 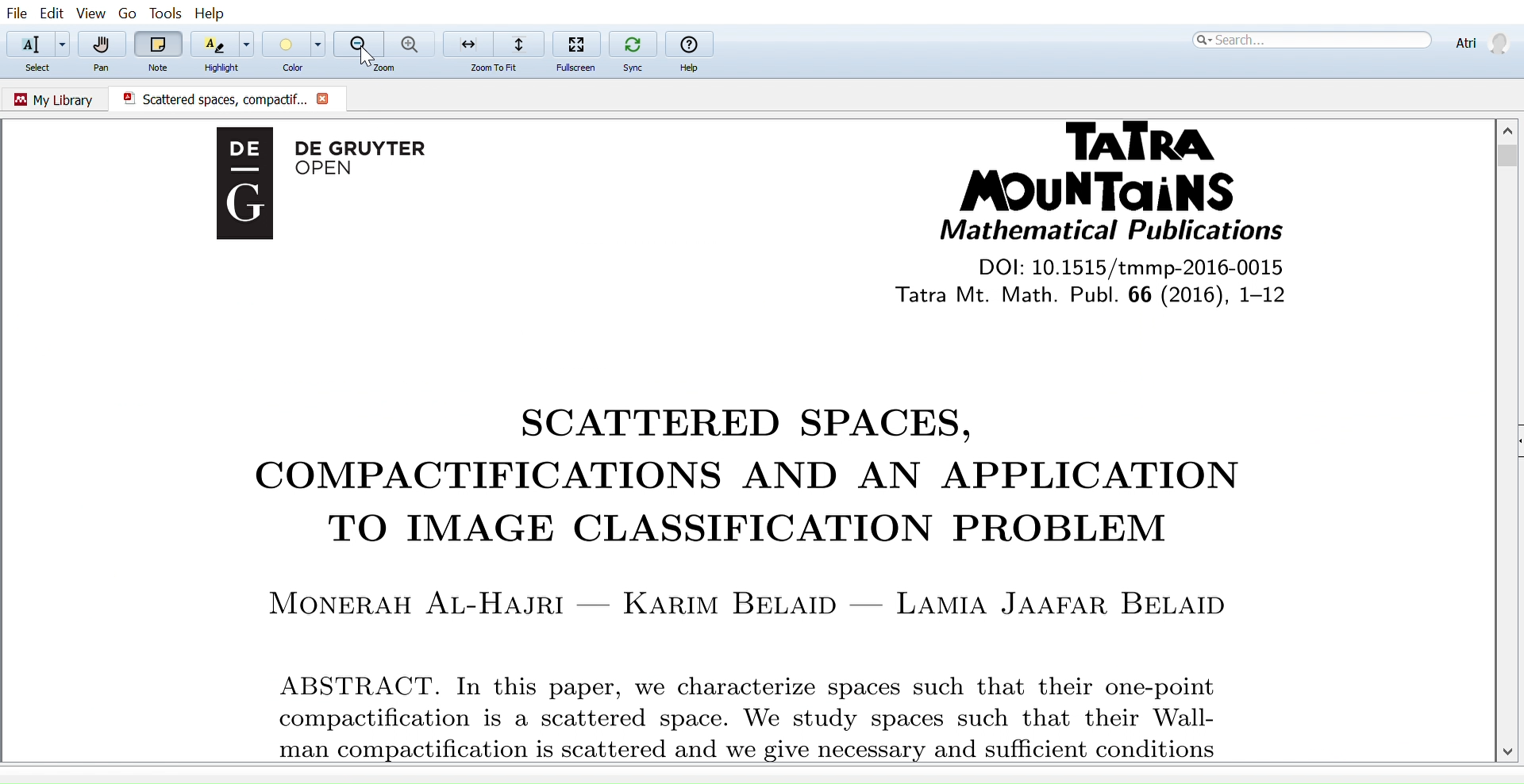 I want to click on Search, so click(x=1310, y=40).